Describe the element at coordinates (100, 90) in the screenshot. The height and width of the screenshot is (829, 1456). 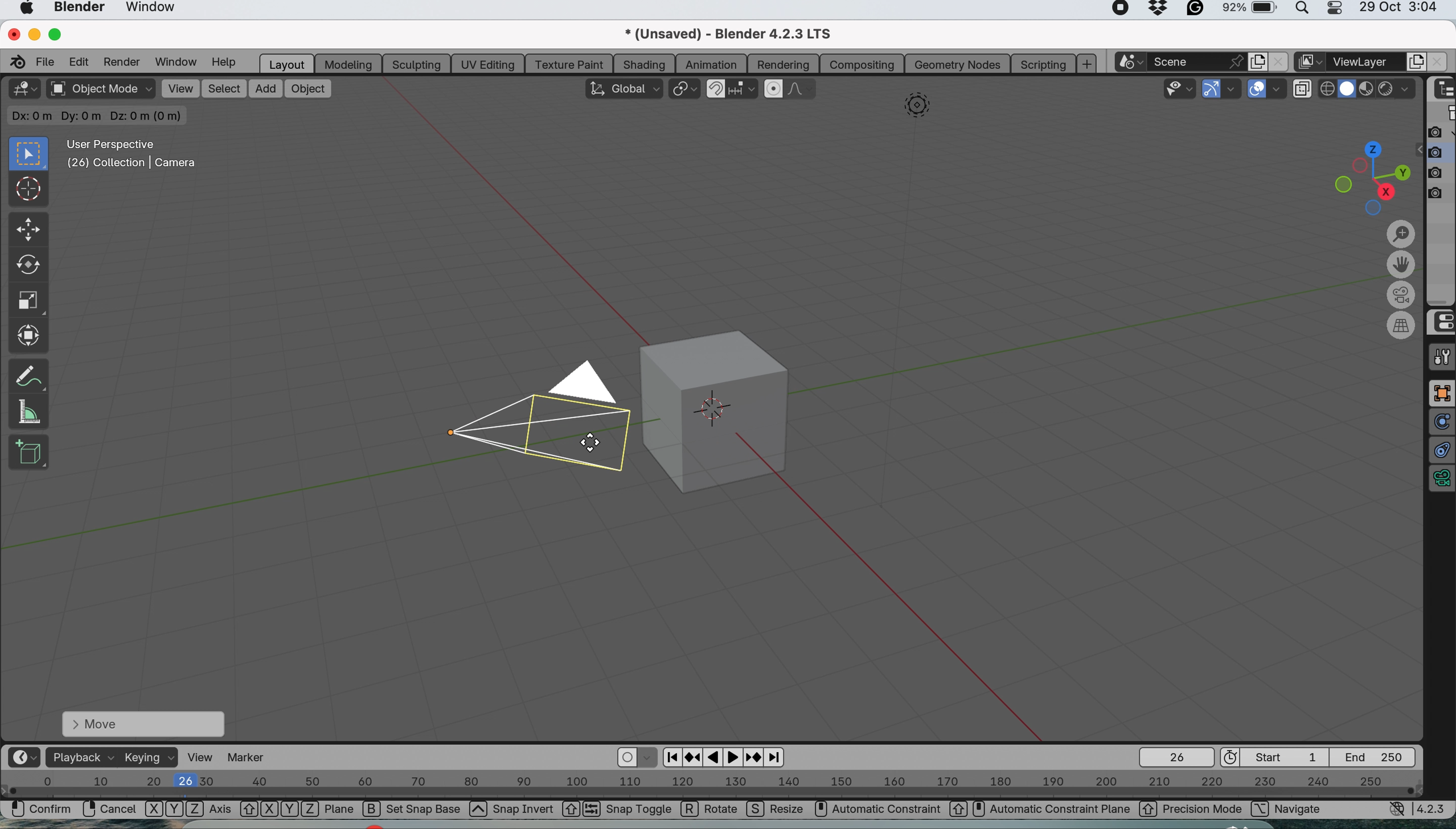
I see `object mode` at that location.